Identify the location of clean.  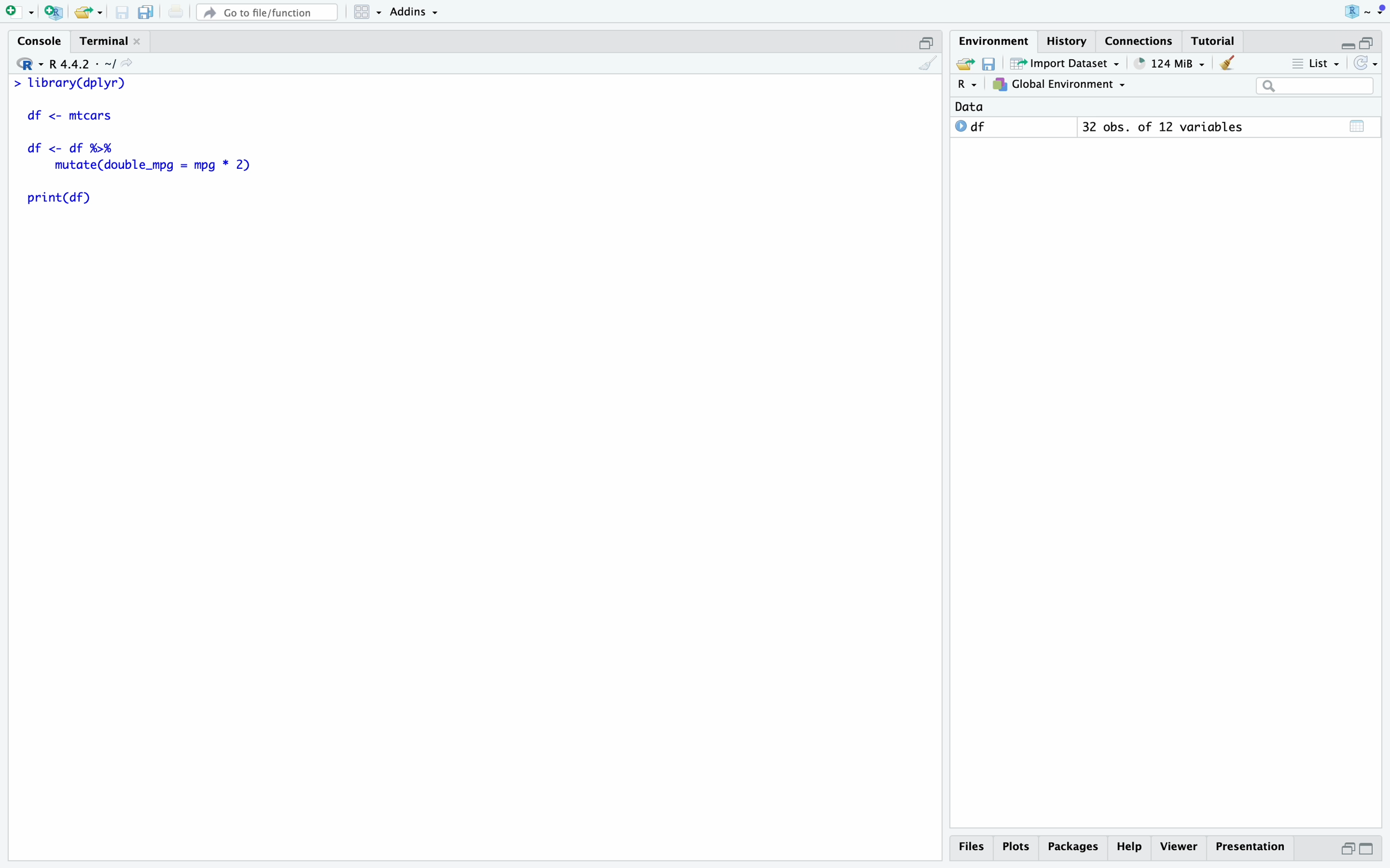
(1228, 63).